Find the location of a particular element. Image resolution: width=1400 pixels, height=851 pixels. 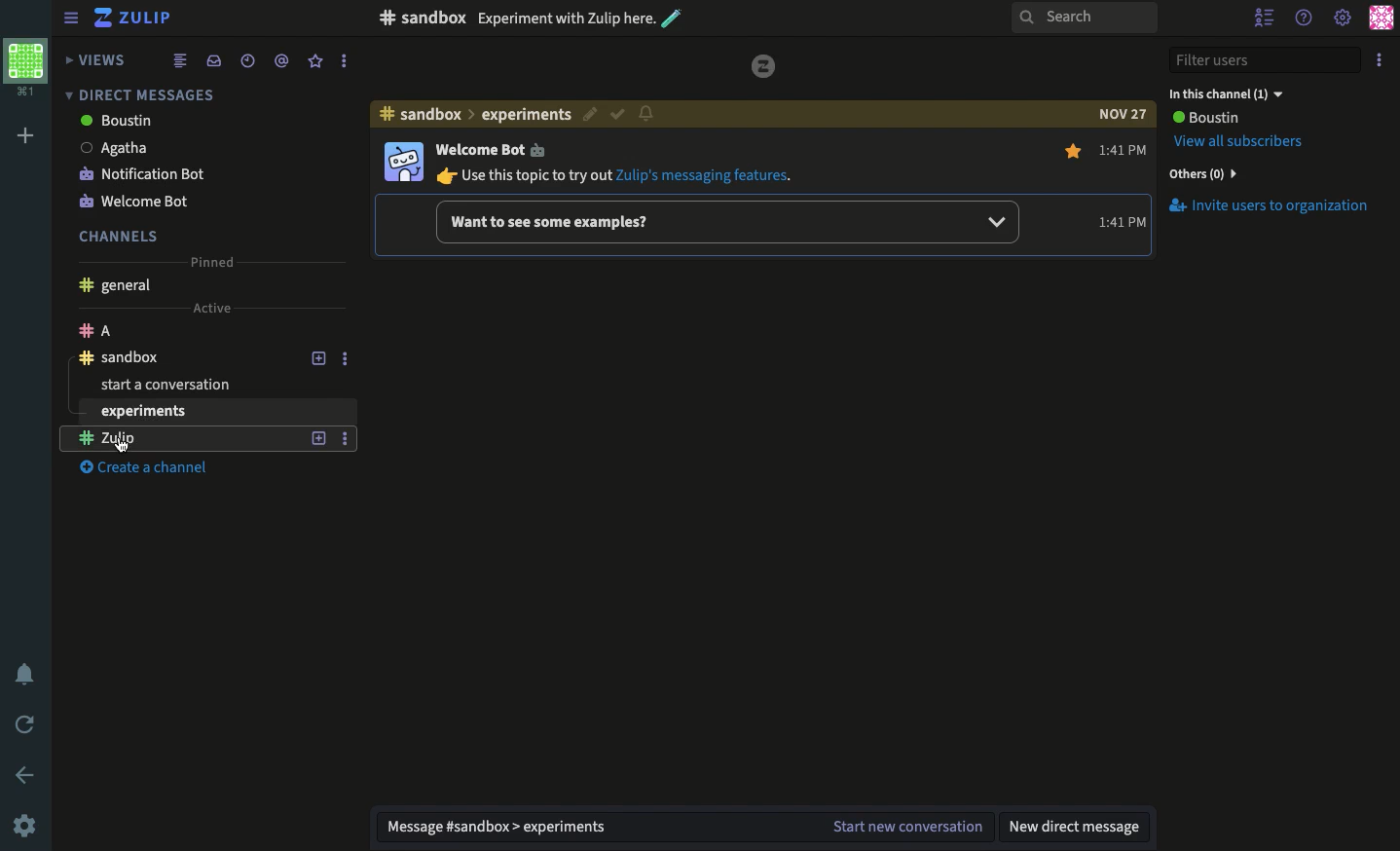

New DM is located at coordinates (1078, 826).